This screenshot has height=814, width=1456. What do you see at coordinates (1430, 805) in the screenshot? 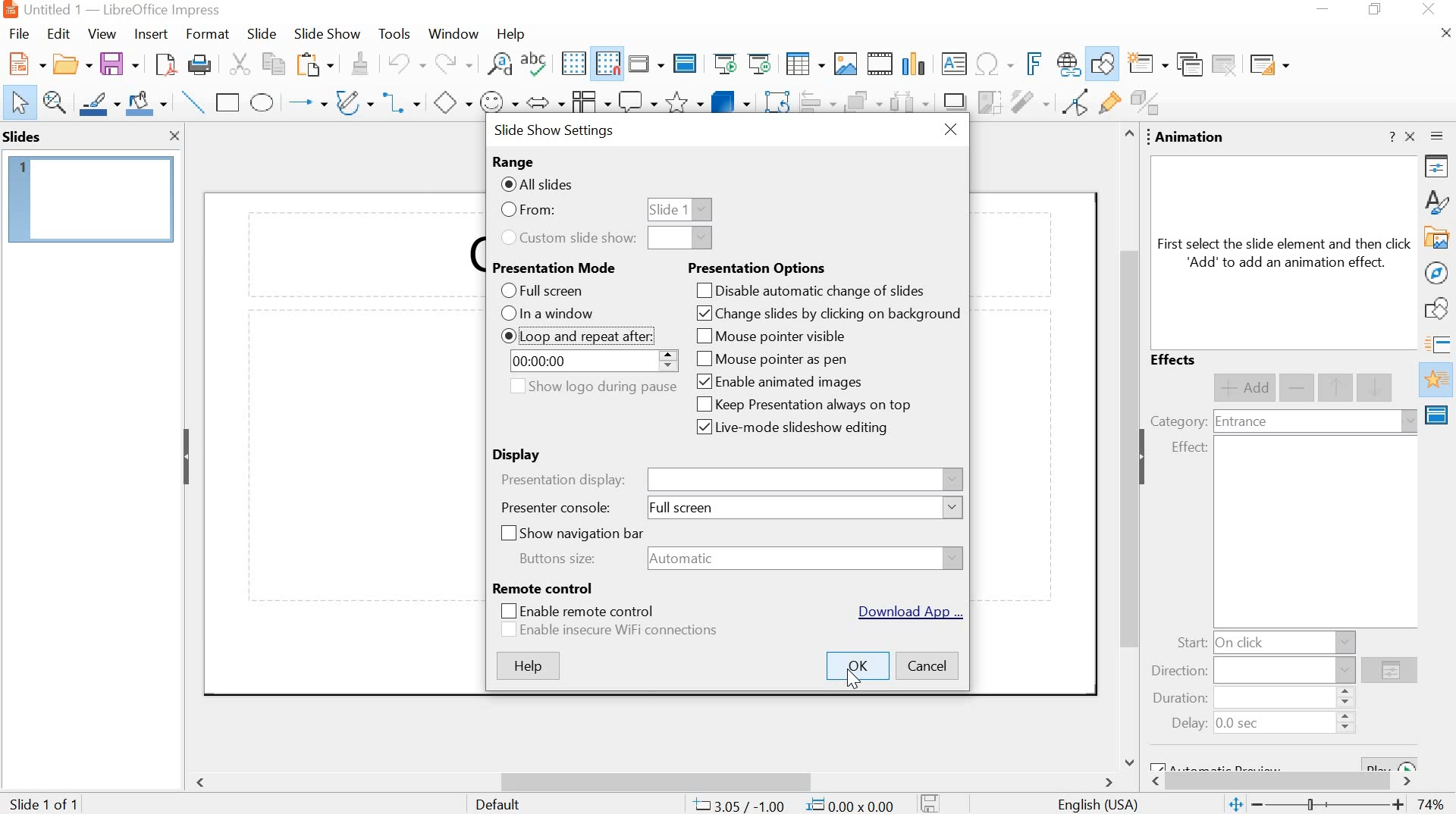
I see `zoom percent` at bounding box center [1430, 805].